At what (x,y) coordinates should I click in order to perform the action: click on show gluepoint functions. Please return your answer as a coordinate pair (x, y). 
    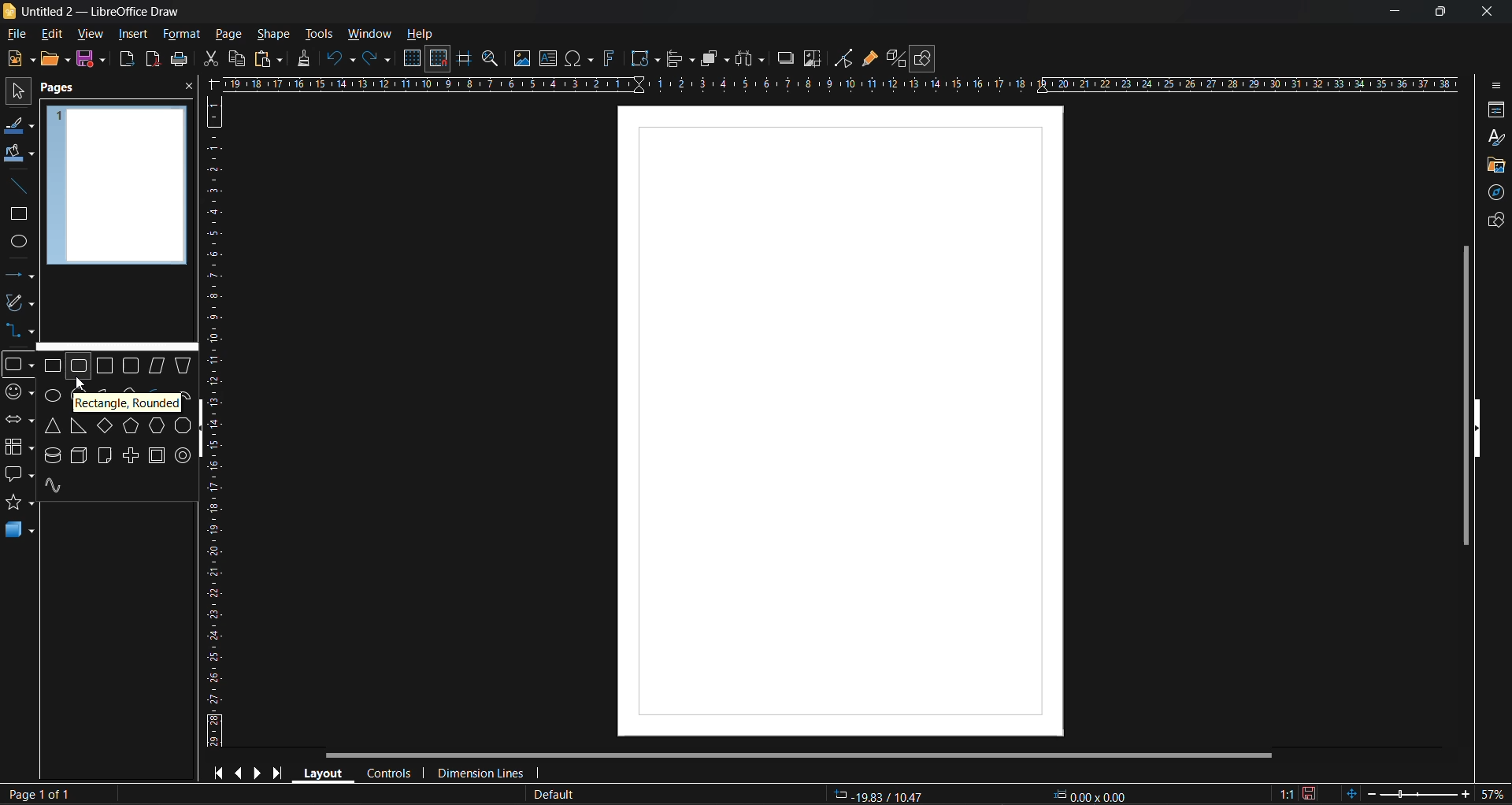
    Looking at the image, I should click on (869, 59).